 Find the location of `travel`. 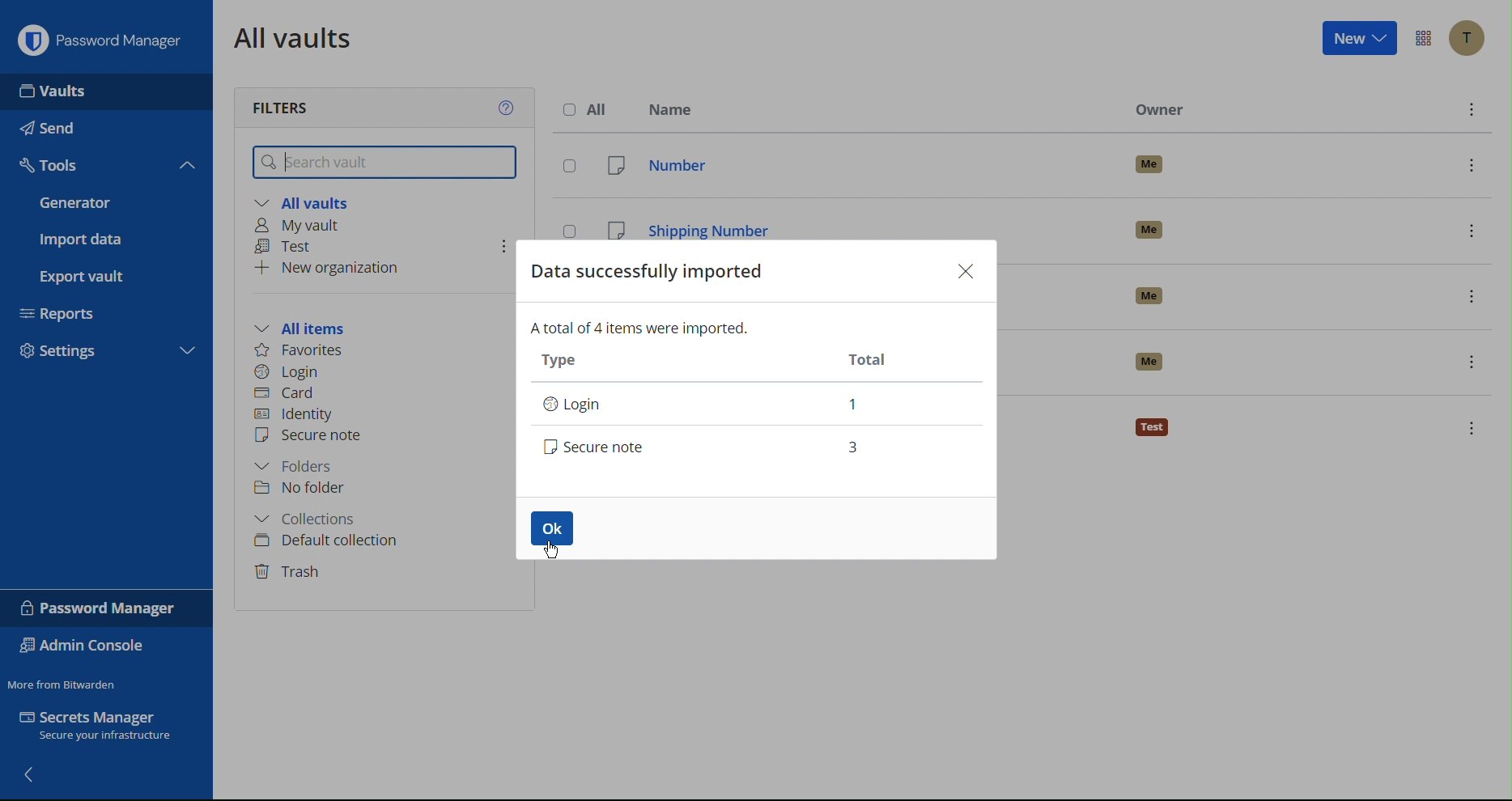

travel is located at coordinates (1053, 426).